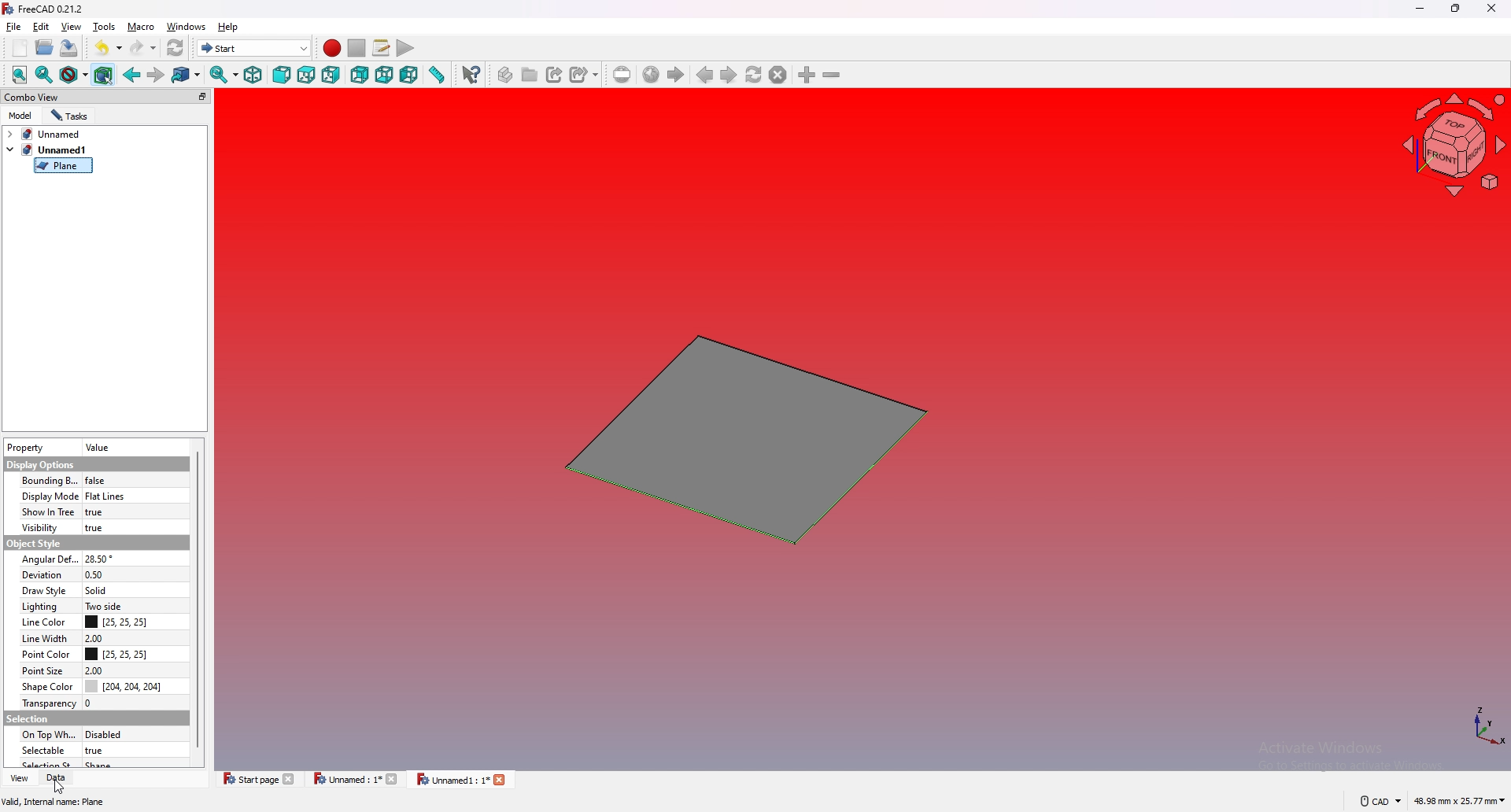  Describe the element at coordinates (254, 47) in the screenshot. I see `start` at that location.